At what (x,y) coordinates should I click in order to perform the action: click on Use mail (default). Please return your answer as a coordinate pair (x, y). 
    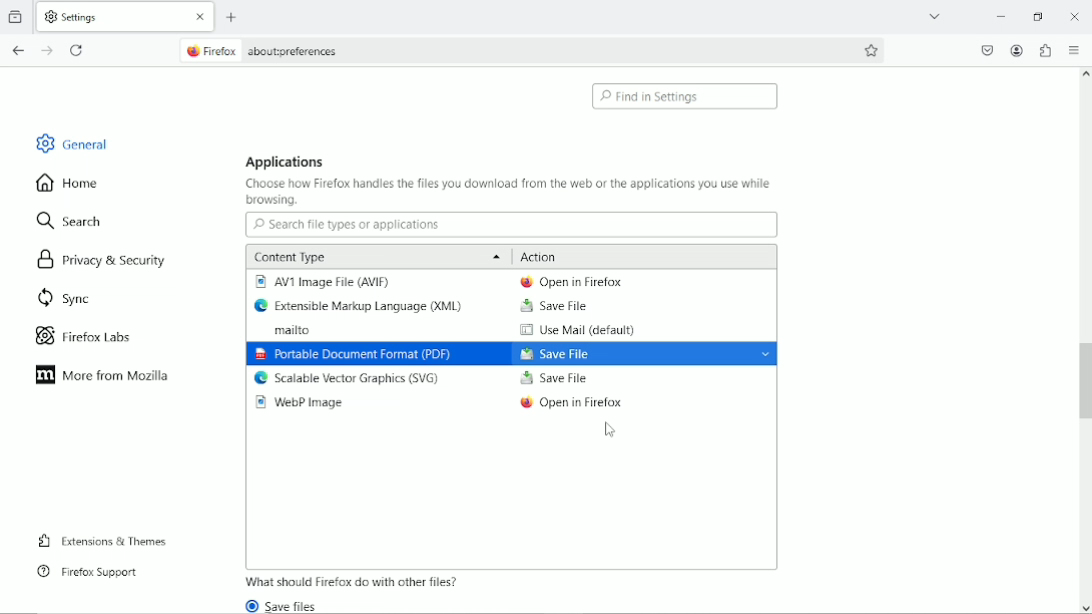
    Looking at the image, I should click on (576, 331).